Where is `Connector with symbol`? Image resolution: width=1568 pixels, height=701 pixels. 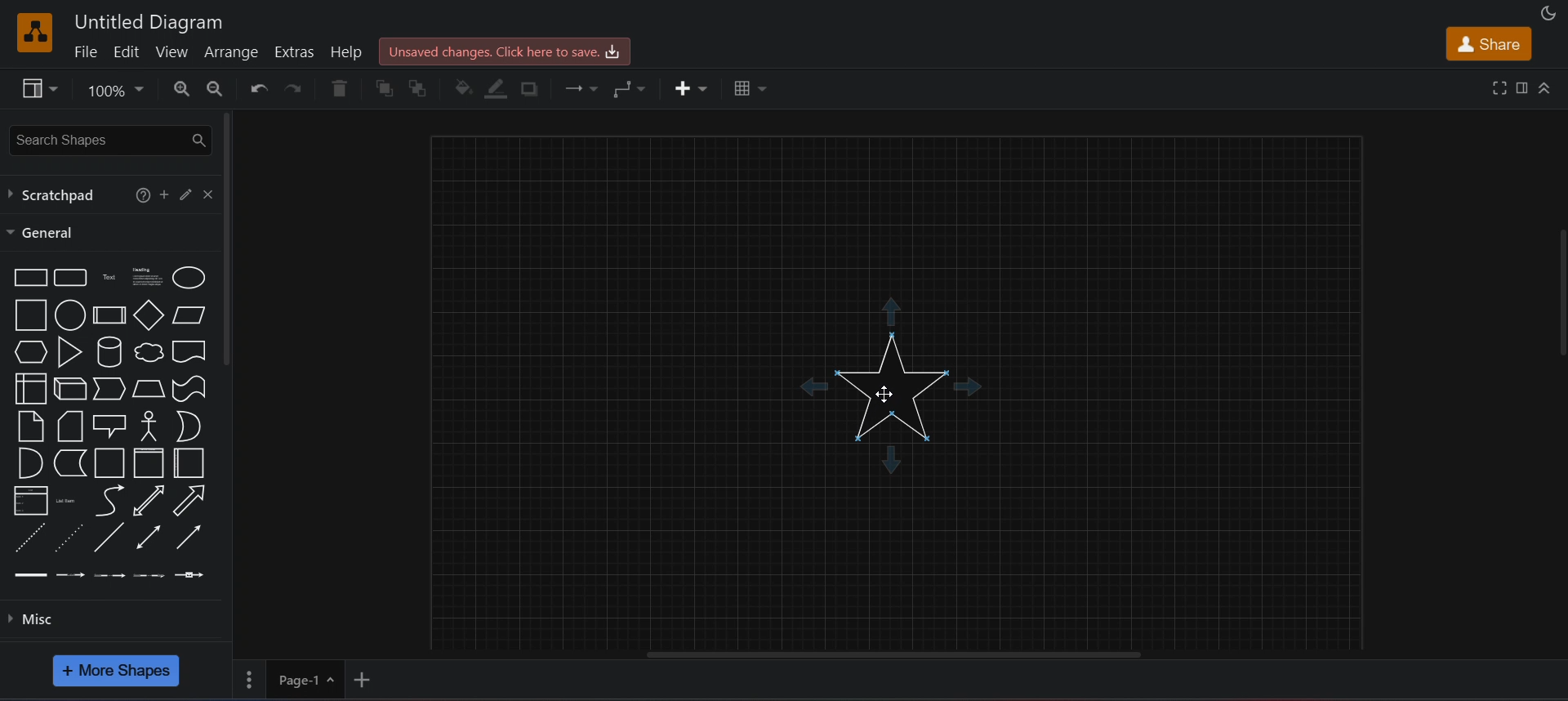
Connector with symbol is located at coordinates (193, 574).